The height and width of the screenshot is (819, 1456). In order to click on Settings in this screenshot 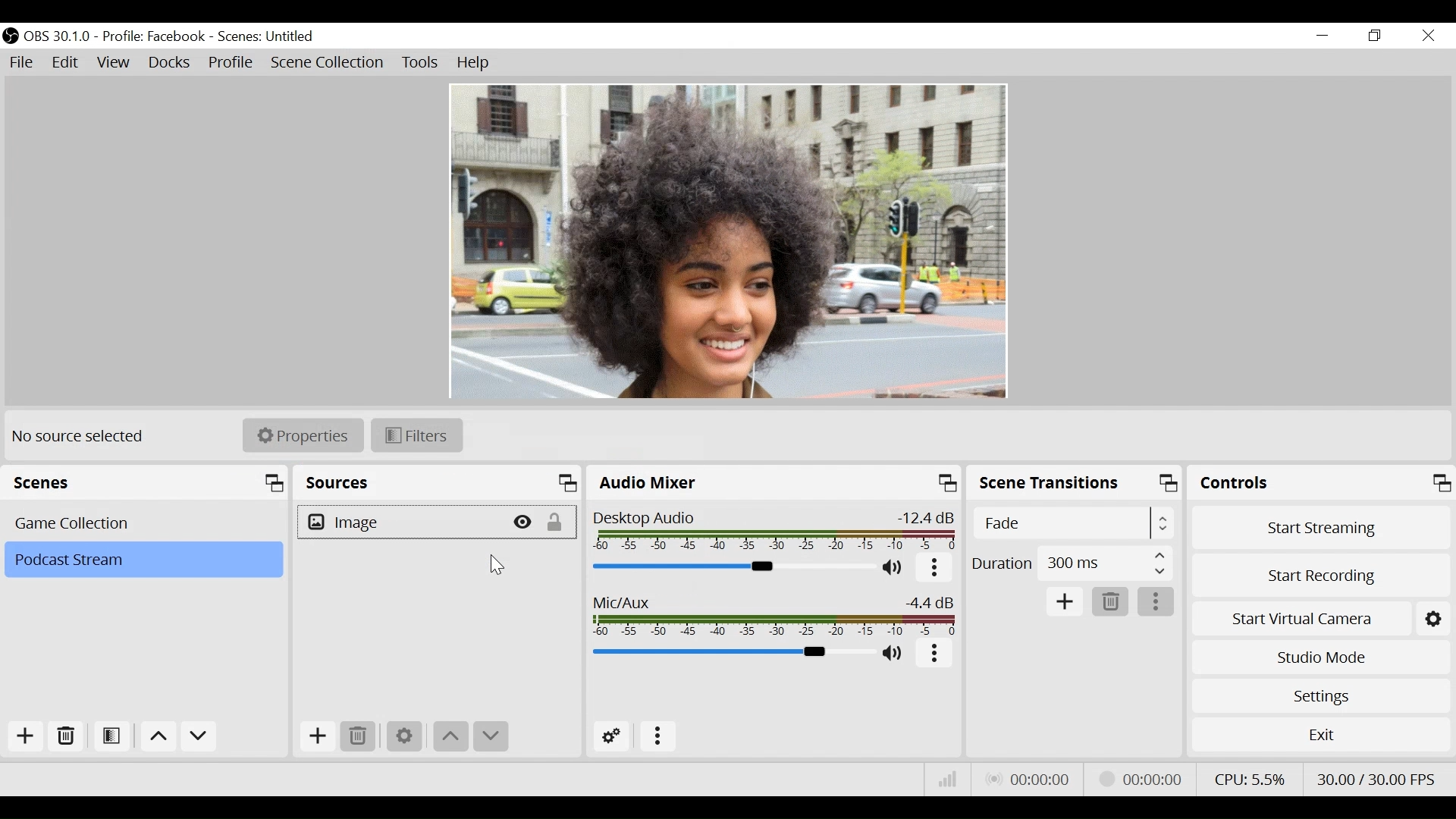, I will do `click(406, 738)`.